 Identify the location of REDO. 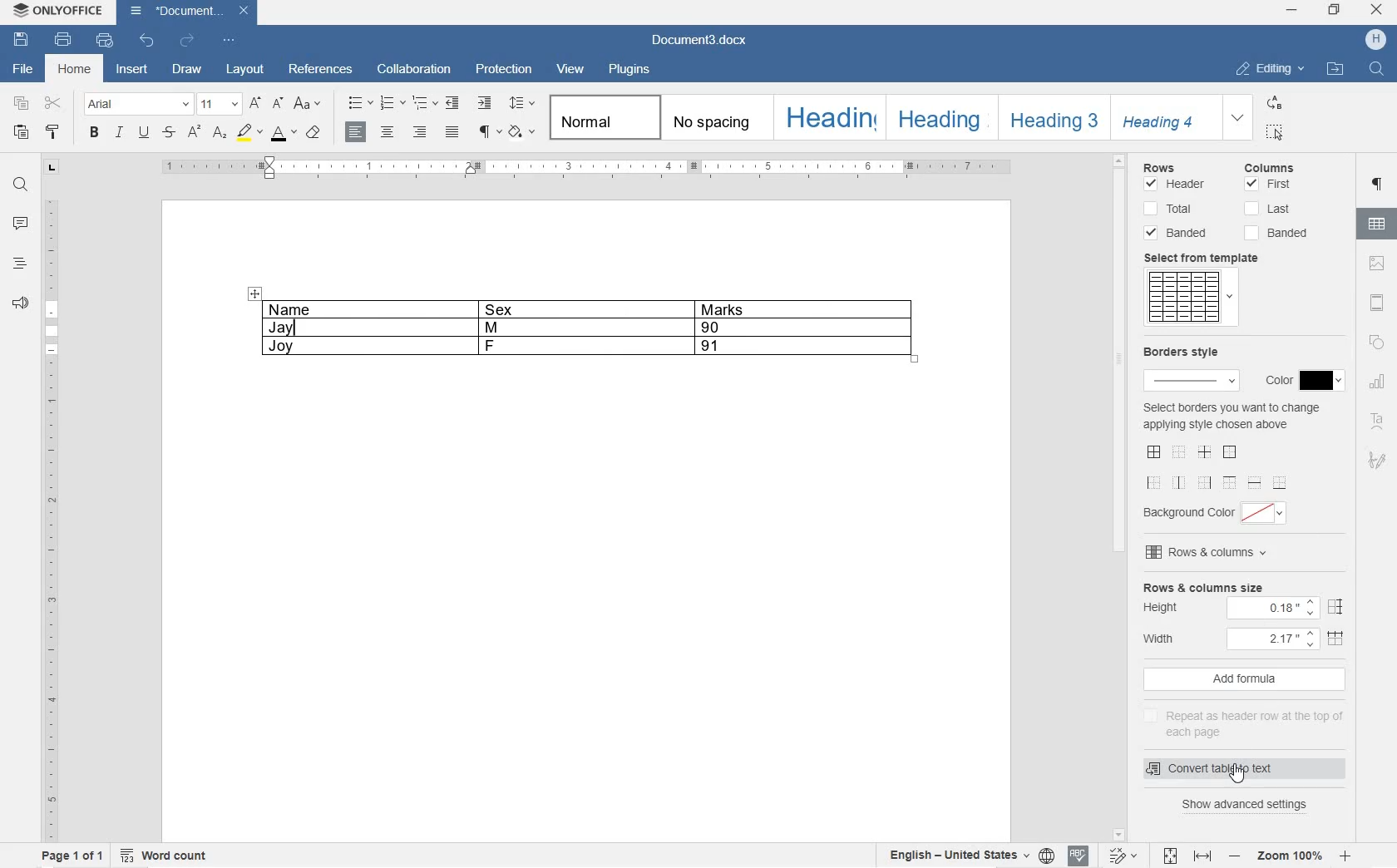
(188, 39).